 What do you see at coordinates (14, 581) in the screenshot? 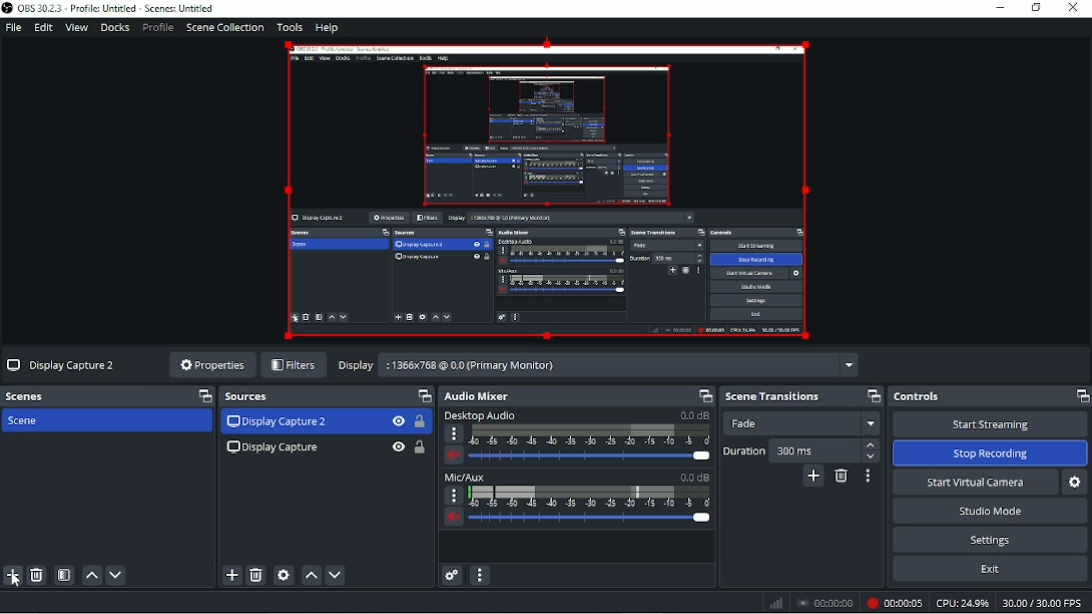
I see `cursor` at bounding box center [14, 581].